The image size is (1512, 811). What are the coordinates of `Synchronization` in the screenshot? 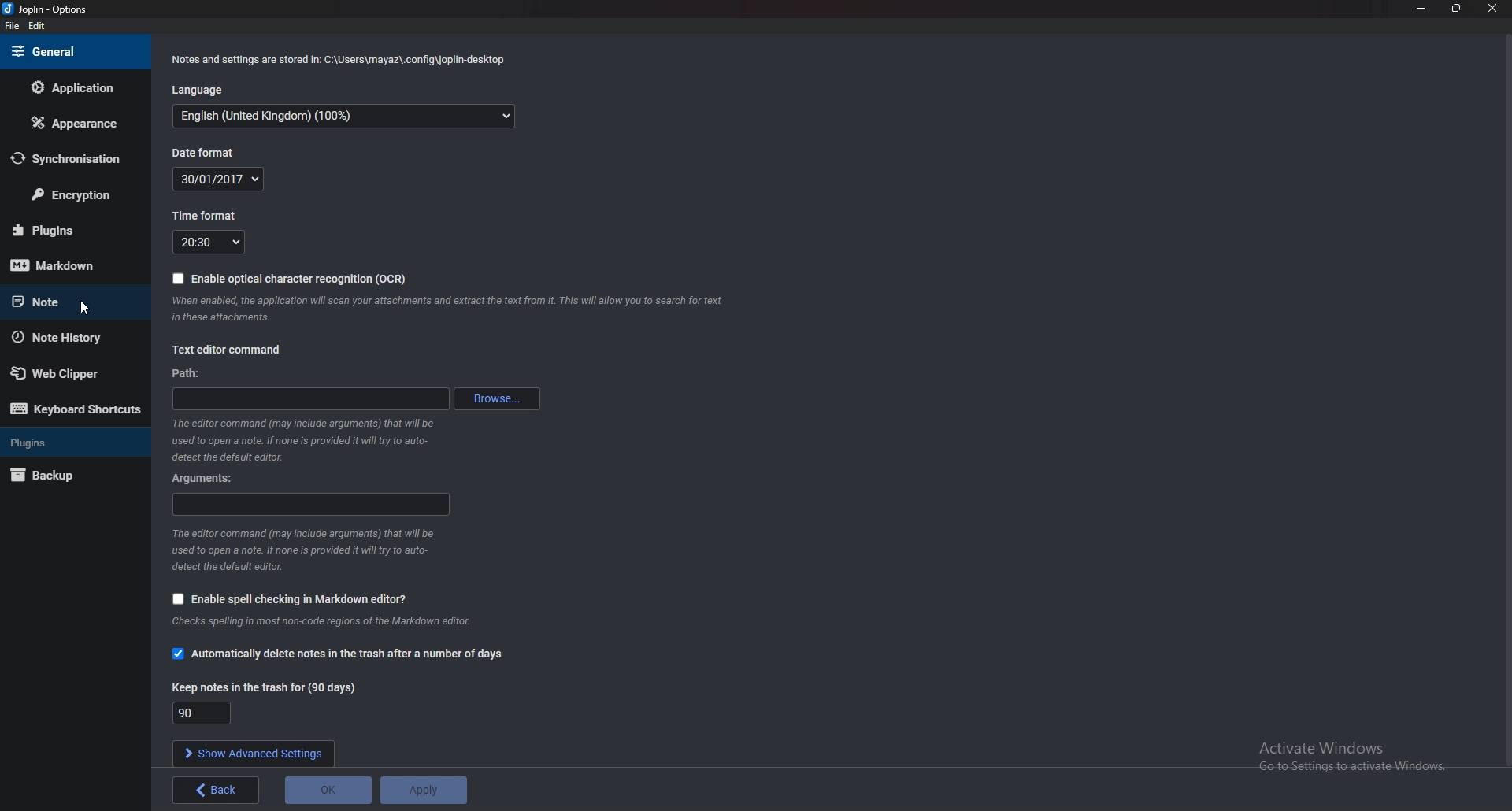 It's located at (68, 158).